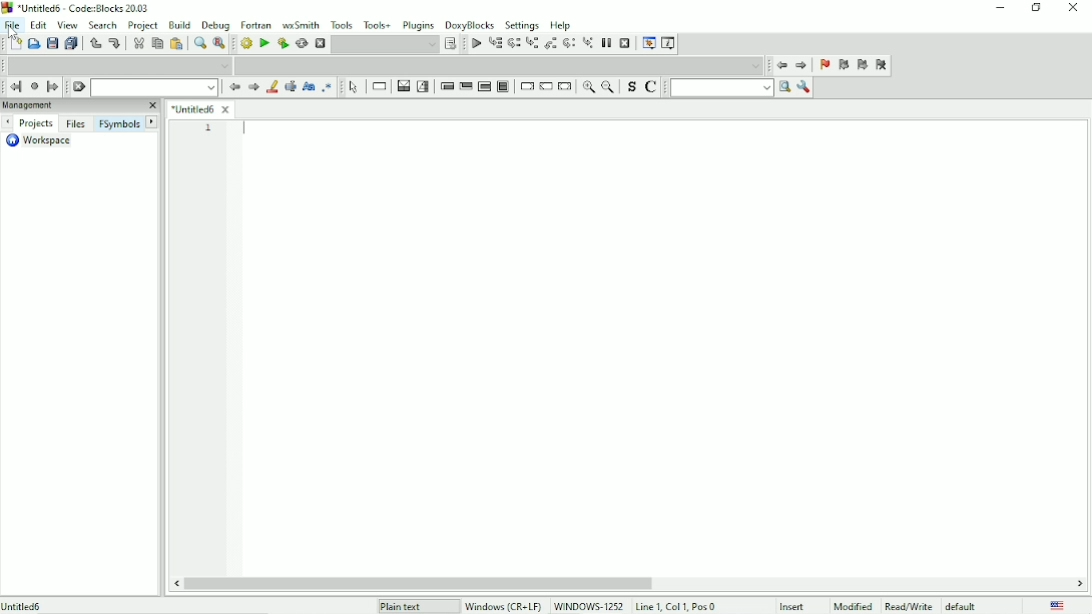 This screenshot has height=614, width=1092. What do you see at coordinates (451, 43) in the screenshot?
I see `Show the select target dialog` at bounding box center [451, 43].